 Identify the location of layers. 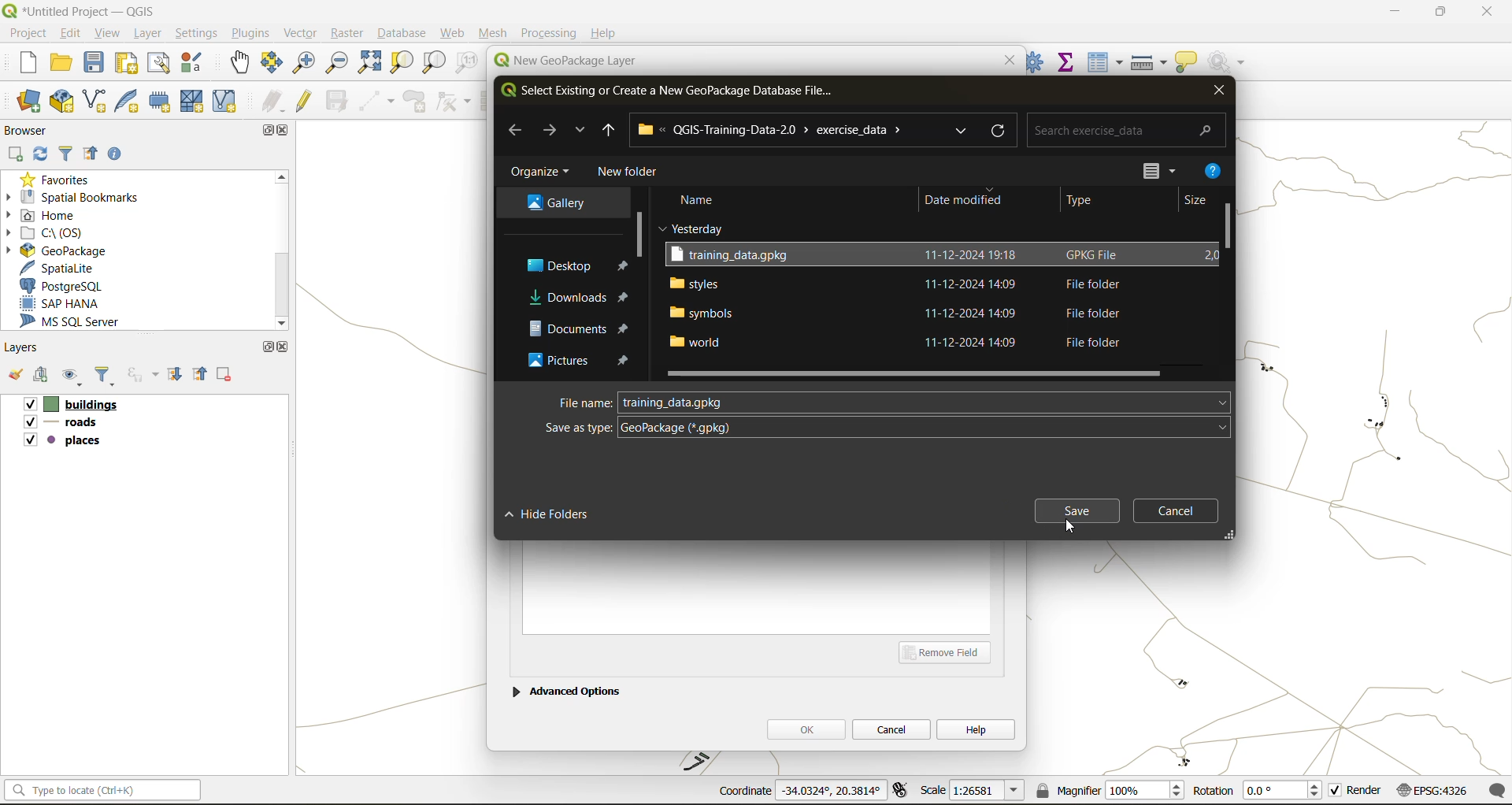
(25, 348).